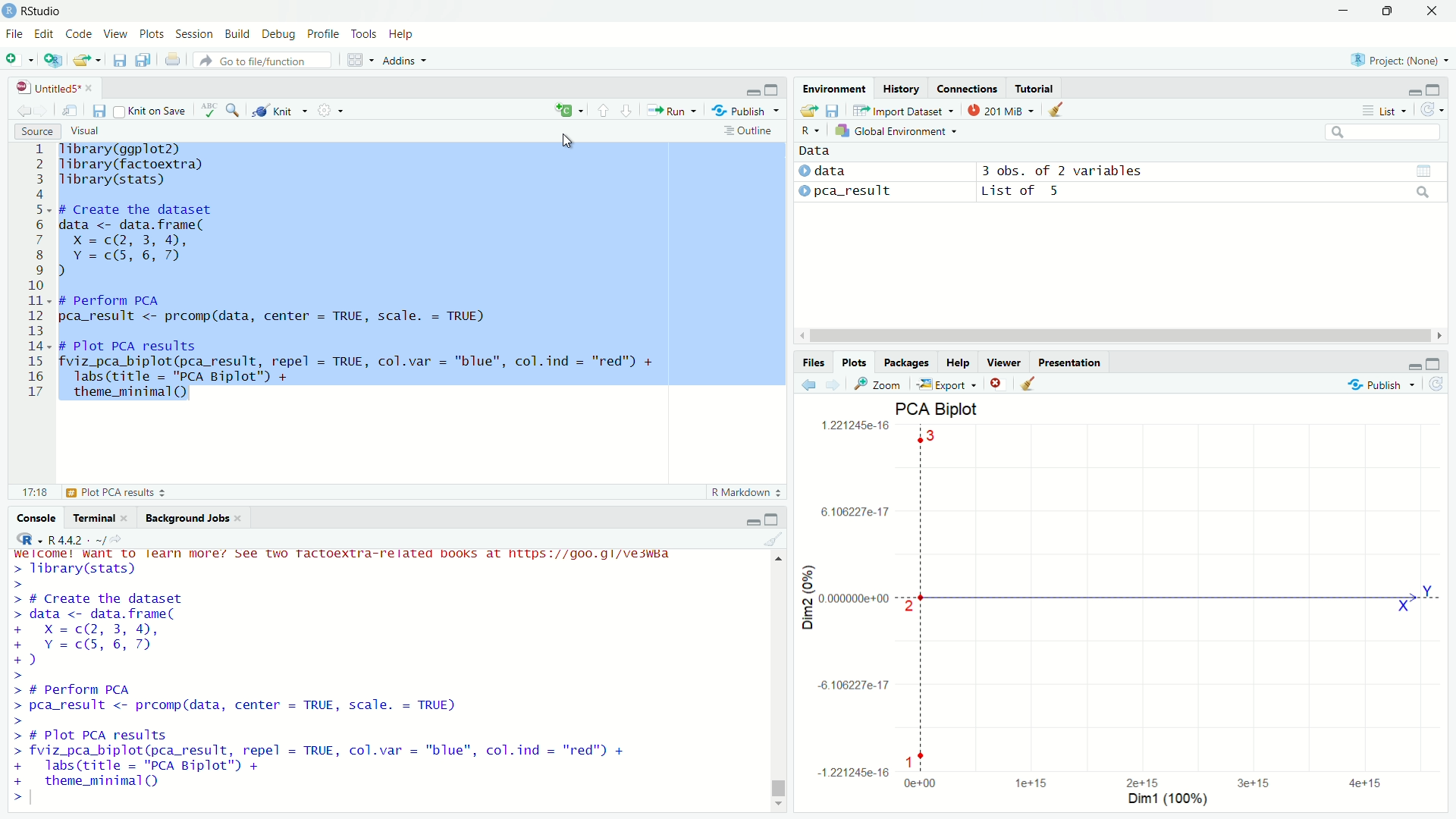 This screenshot has width=1456, height=819. Describe the element at coordinates (1203, 193) in the screenshot. I see `list of 5` at that location.